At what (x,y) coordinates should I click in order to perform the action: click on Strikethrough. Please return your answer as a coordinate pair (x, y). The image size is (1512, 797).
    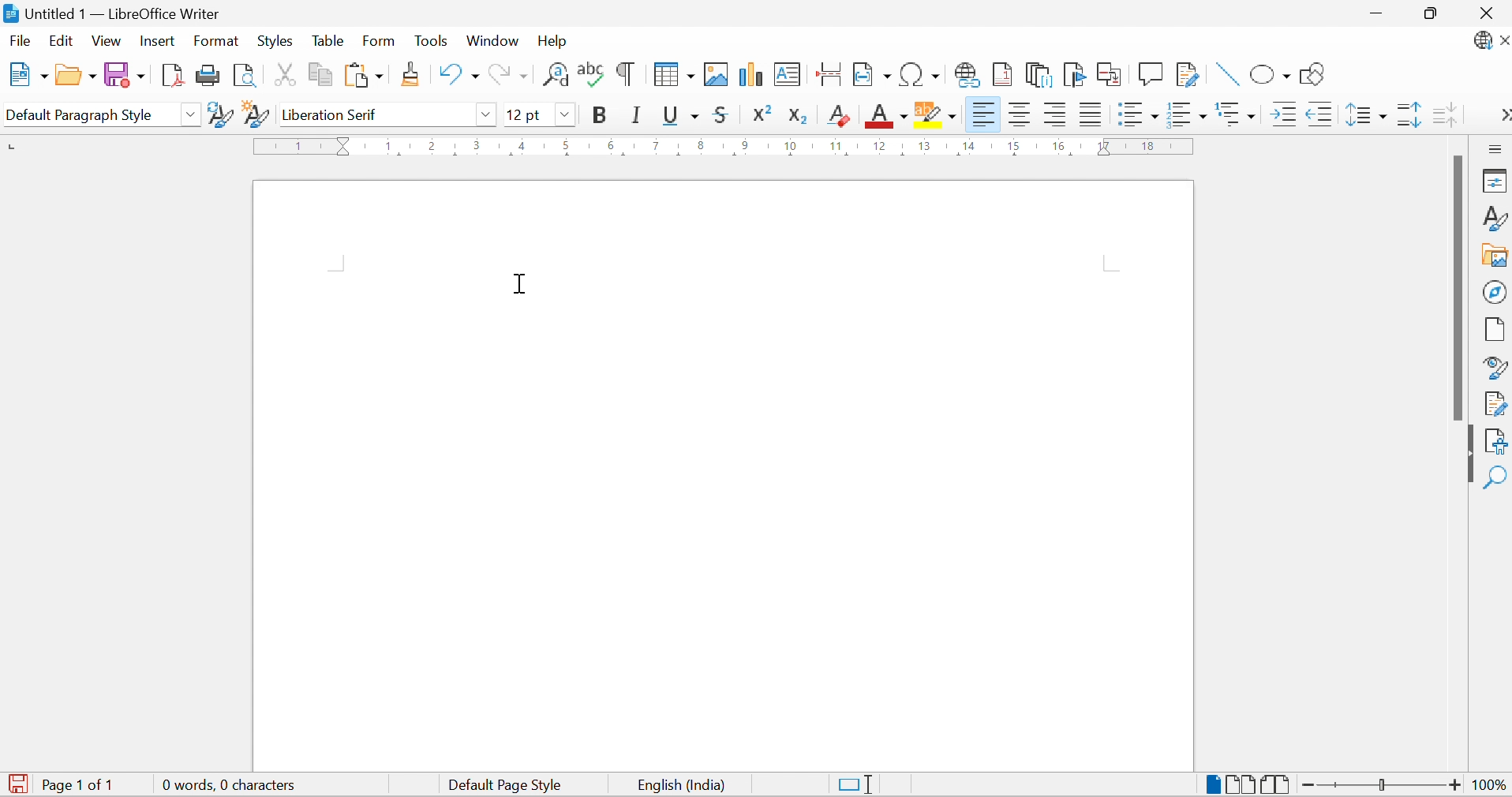
    Looking at the image, I should click on (724, 115).